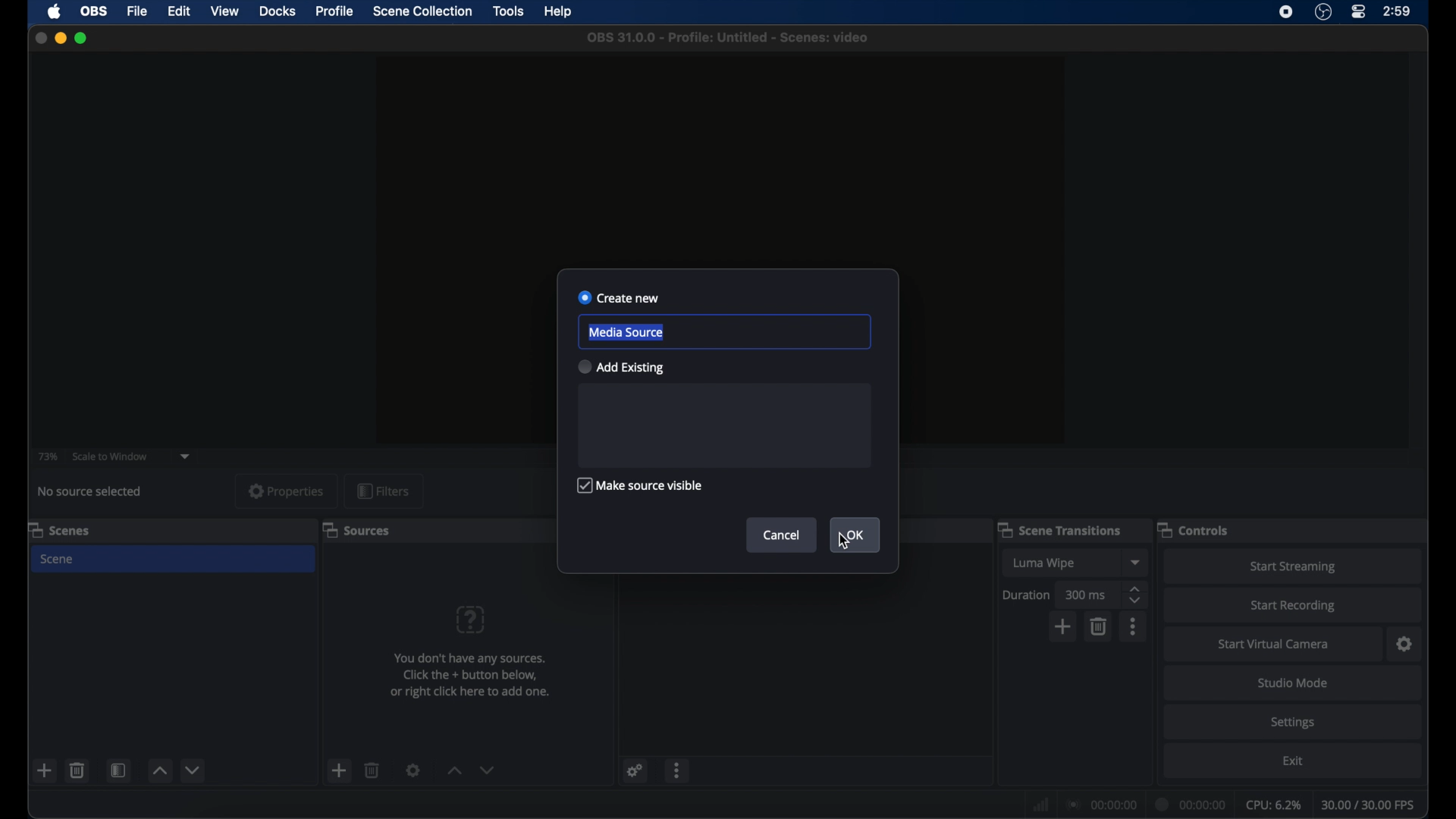 The width and height of the screenshot is (1456, 819). Describe the element at coordinates (559, 12) in the screenshot. I see `help` at that location.